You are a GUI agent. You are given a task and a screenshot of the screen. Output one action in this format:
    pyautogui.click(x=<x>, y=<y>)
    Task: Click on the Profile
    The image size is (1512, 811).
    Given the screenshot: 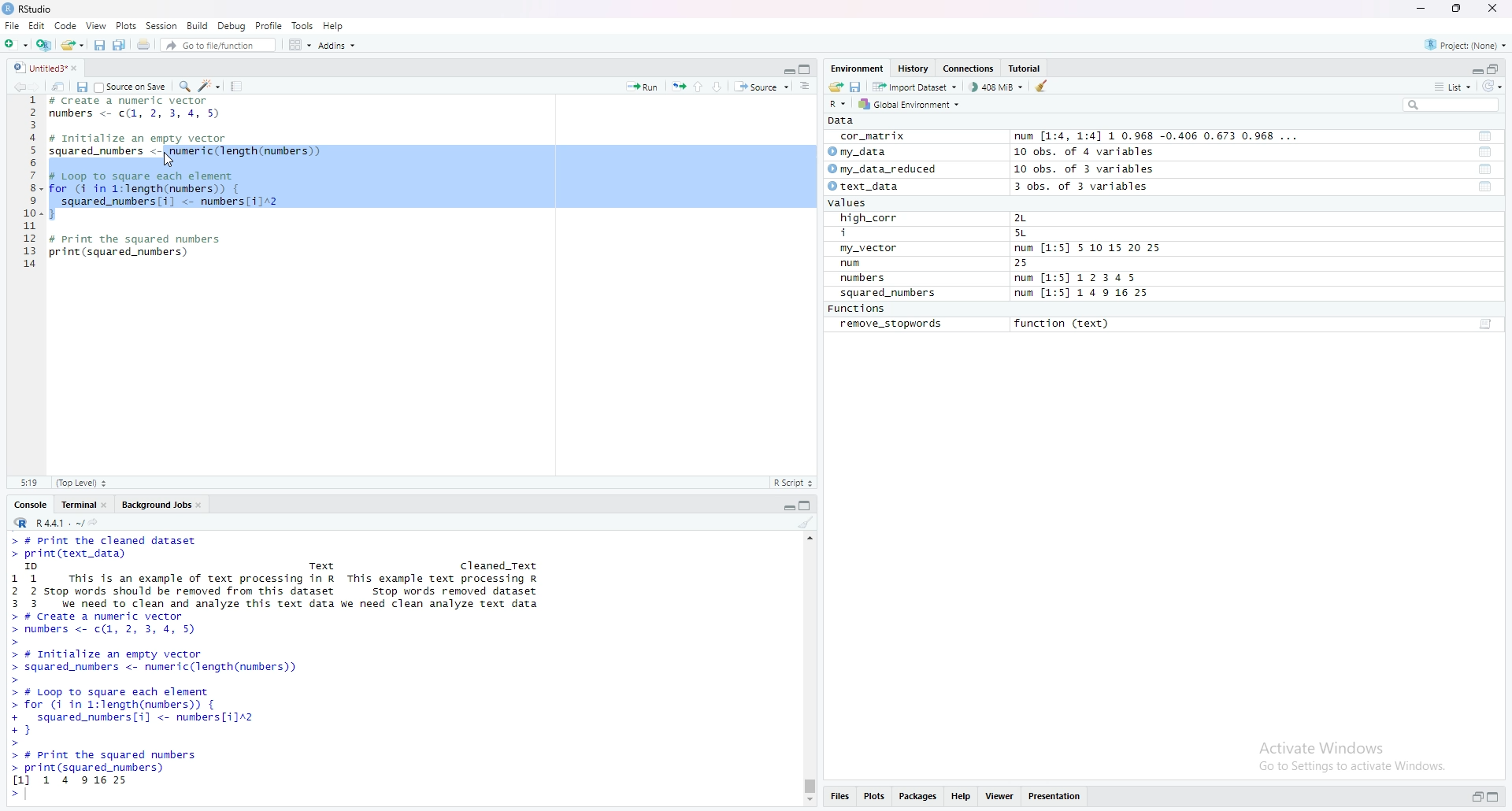 What is the action you would take?
    pyautogui.click(x=269, y=25)
    